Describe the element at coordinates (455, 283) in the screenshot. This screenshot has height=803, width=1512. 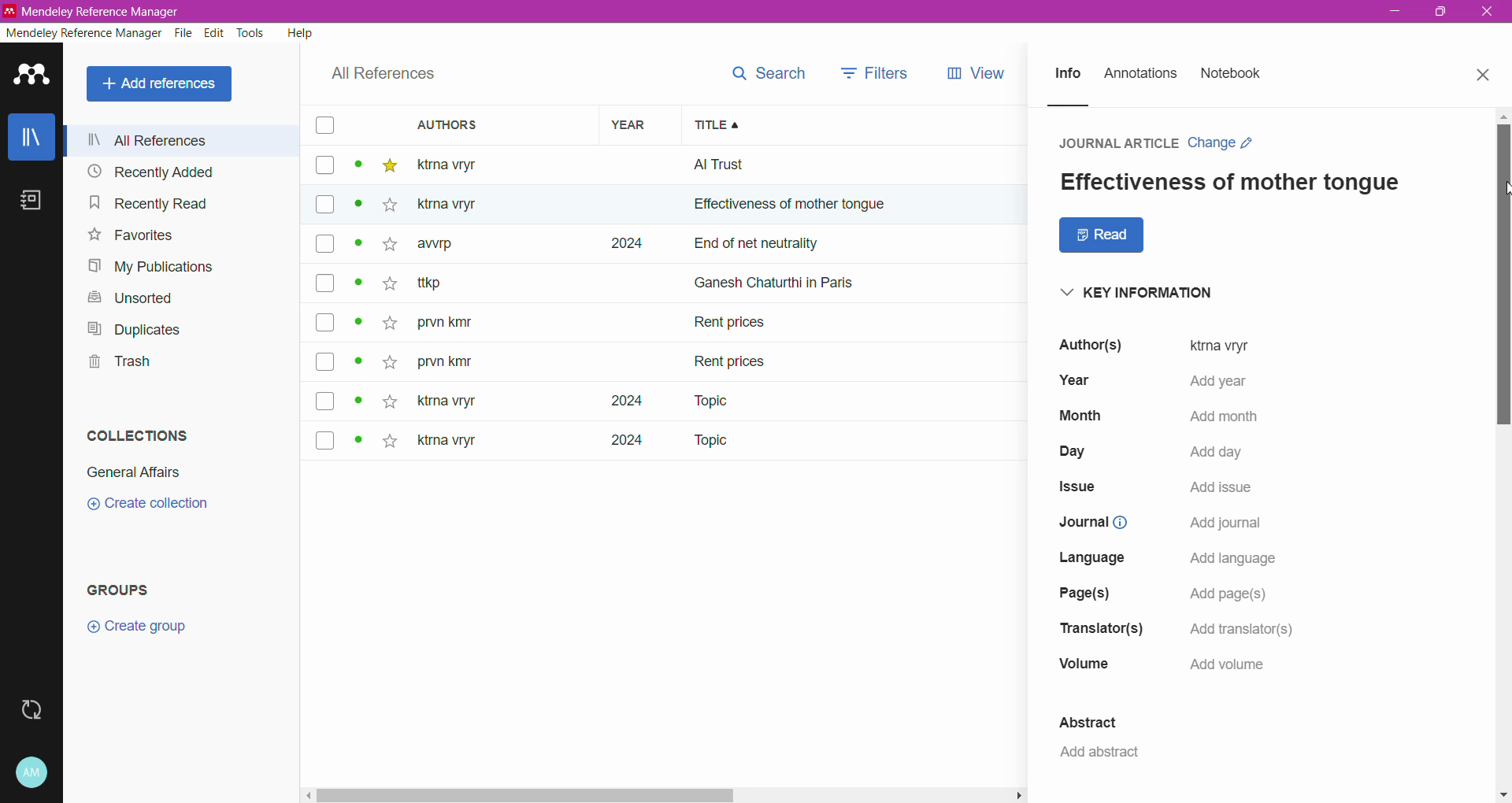
I see `~ ttkp` at that location.